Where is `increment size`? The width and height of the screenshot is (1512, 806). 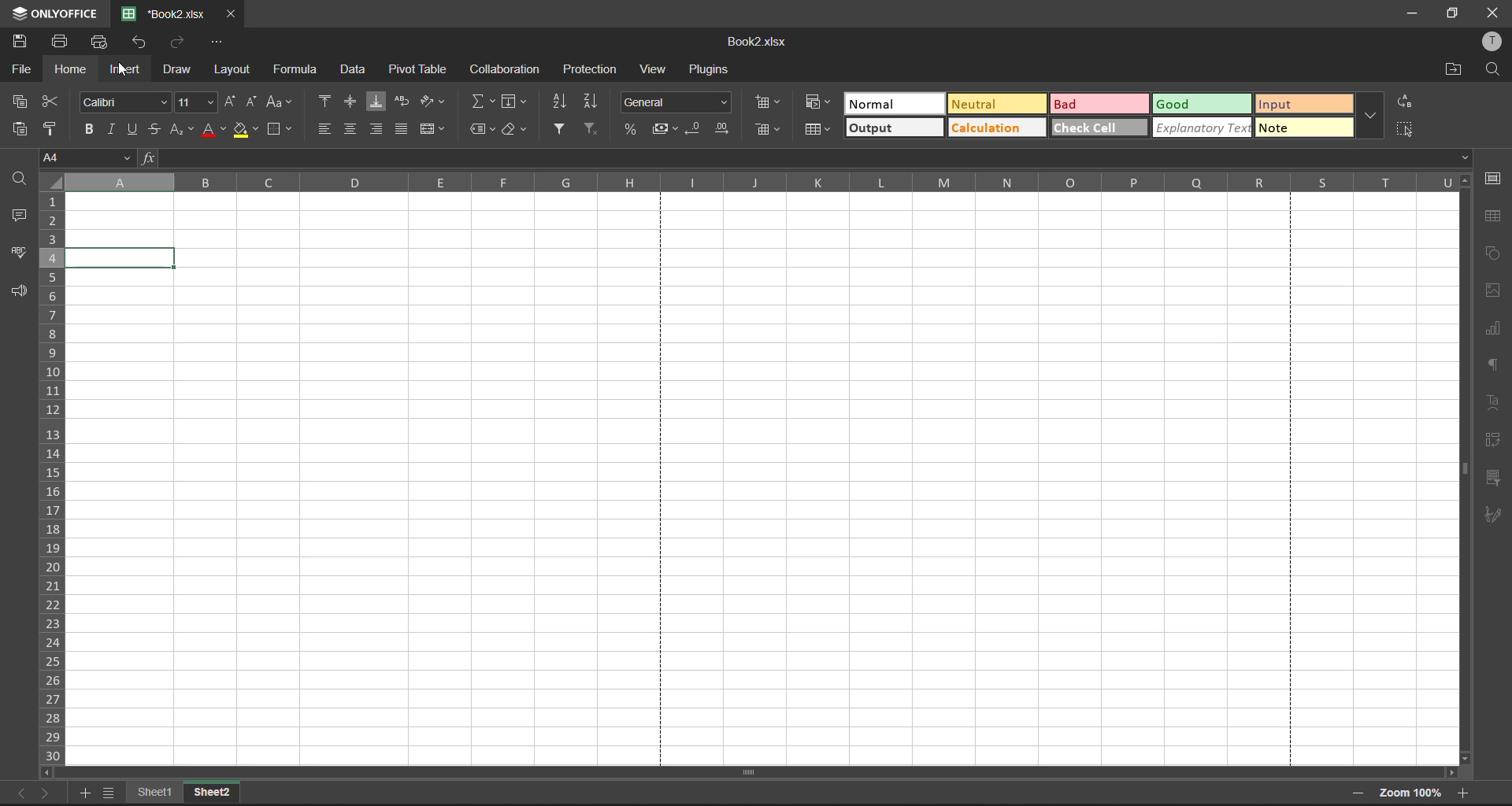 increment size is located at coordinates (229, 102).